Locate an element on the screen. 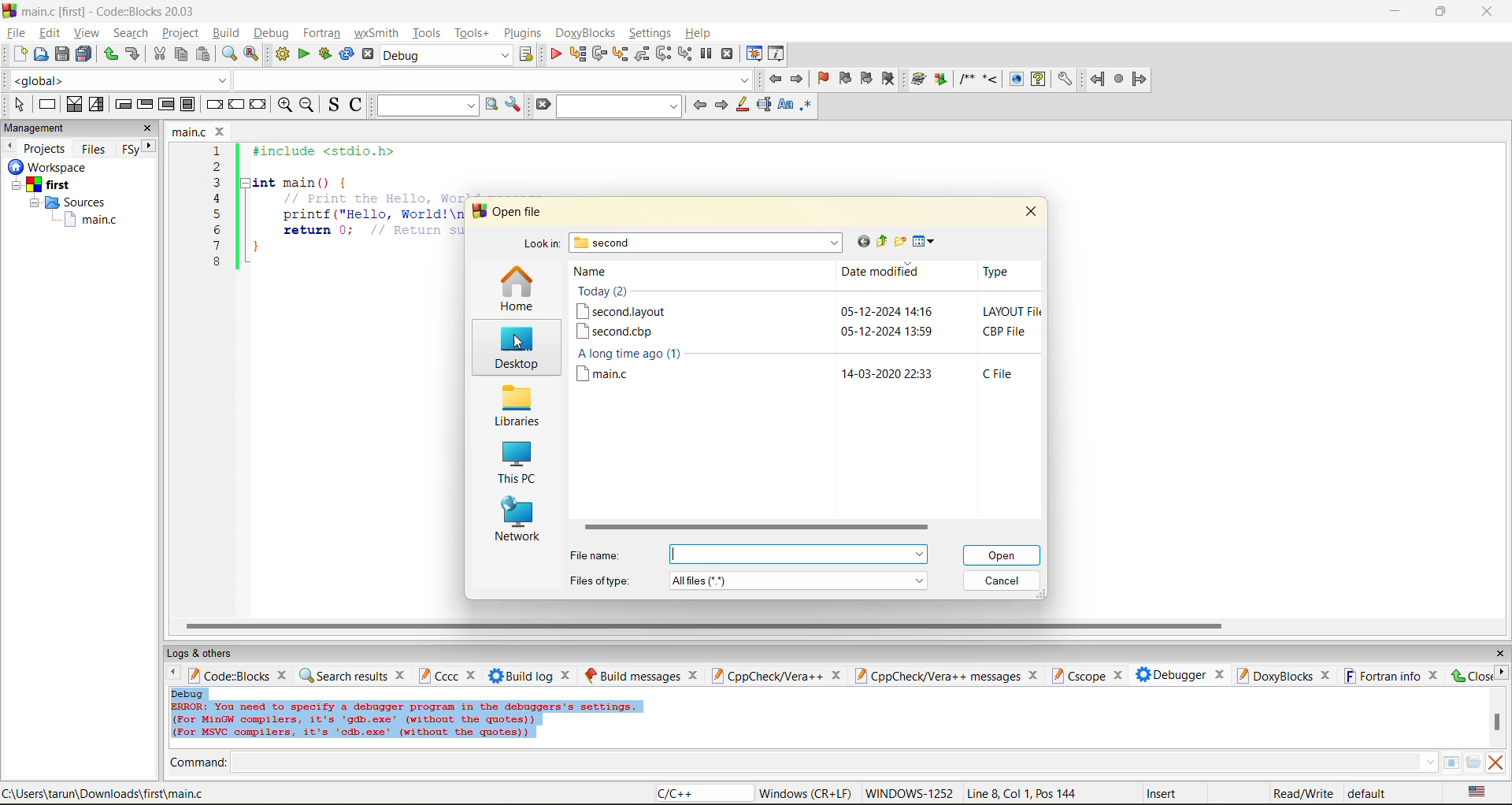  debugger is located at coordinates (1170, 674).